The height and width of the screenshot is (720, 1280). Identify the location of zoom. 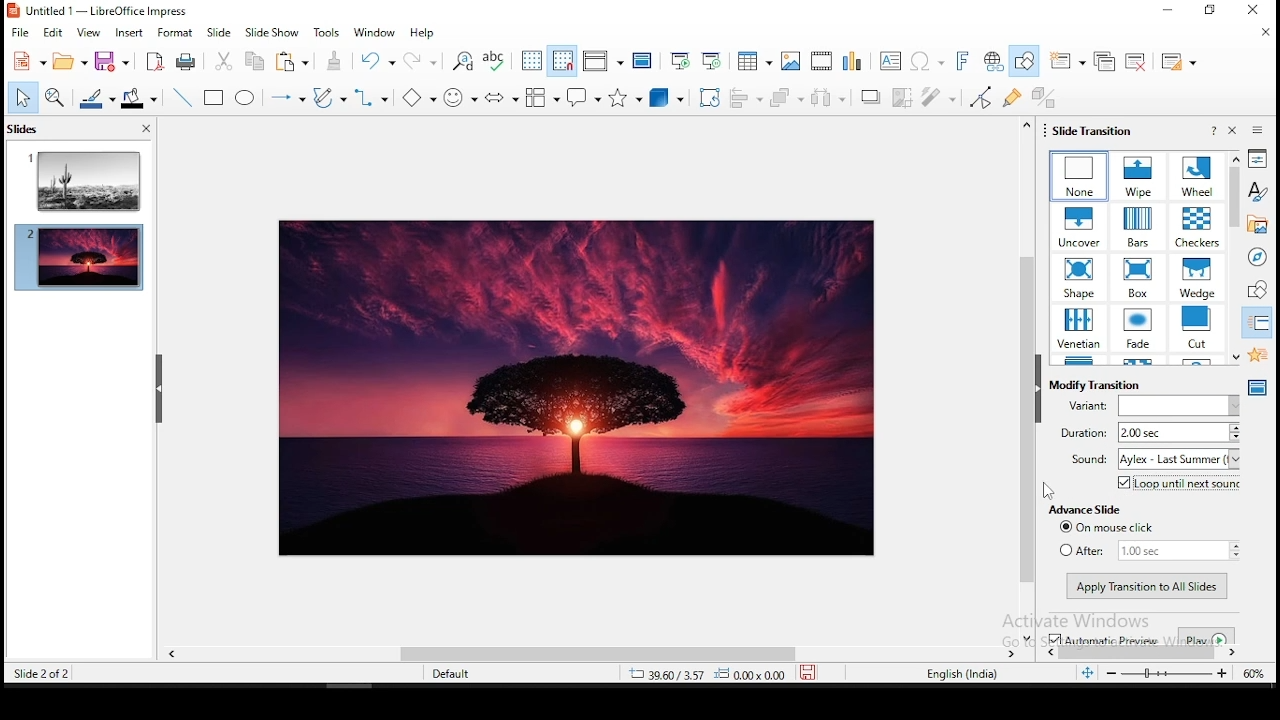
(1184, 672).